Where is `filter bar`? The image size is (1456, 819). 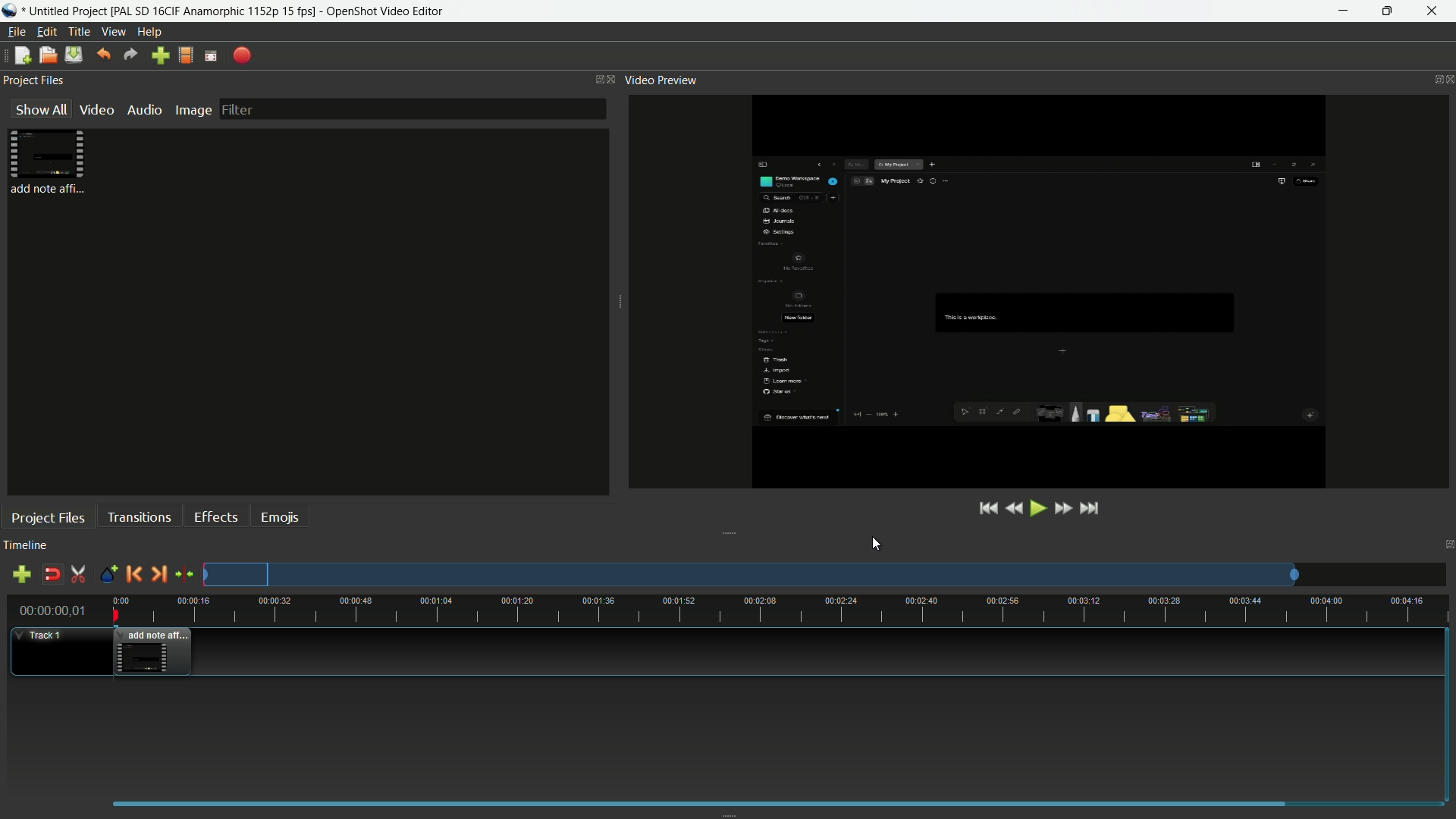
filter bar is located at coordinates (414, 108).